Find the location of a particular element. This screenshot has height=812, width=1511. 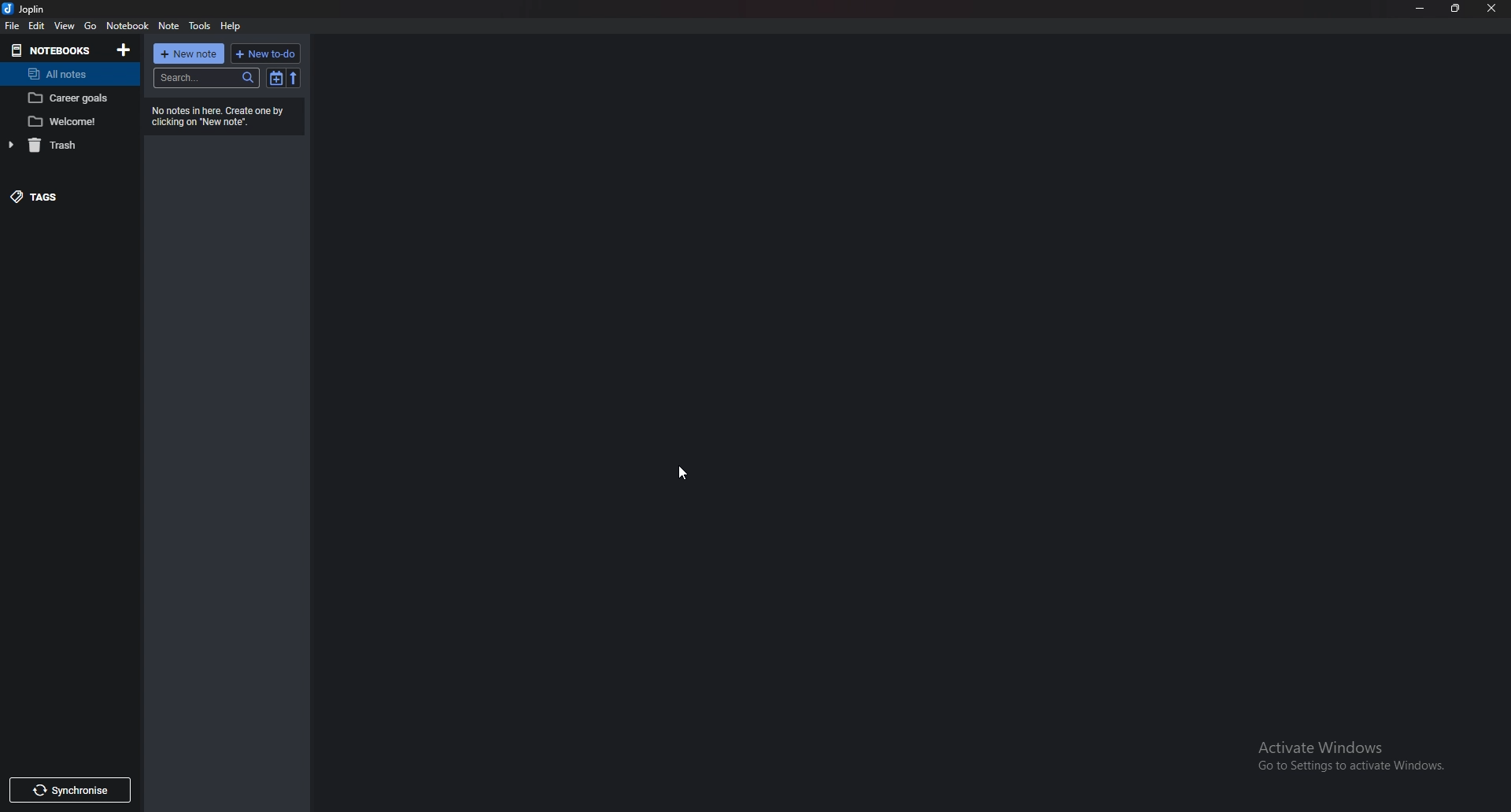

add note book is located at coordinates (123, 50).